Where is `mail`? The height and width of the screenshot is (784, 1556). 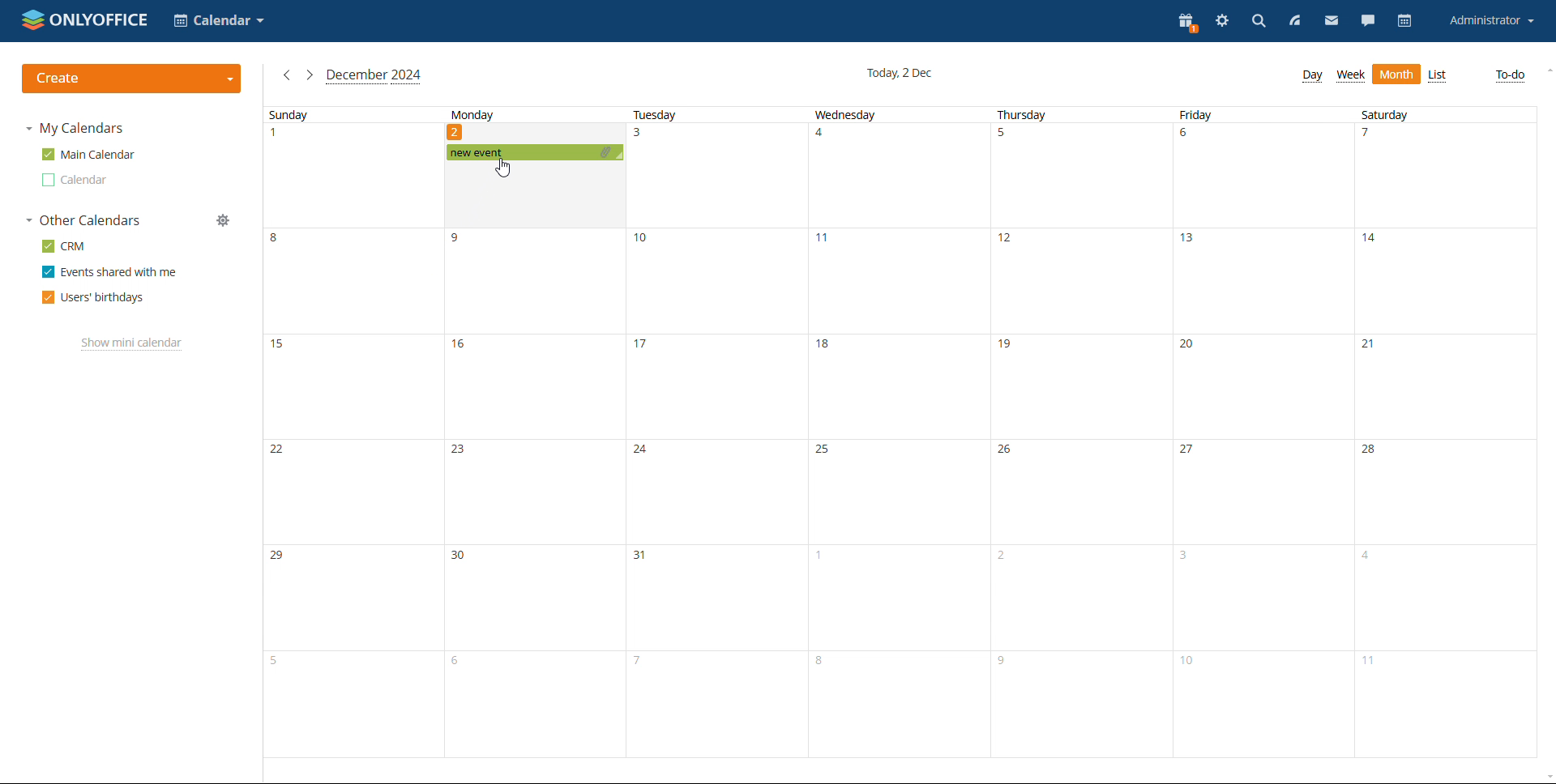
mail is located at coordinates (1332, 20).